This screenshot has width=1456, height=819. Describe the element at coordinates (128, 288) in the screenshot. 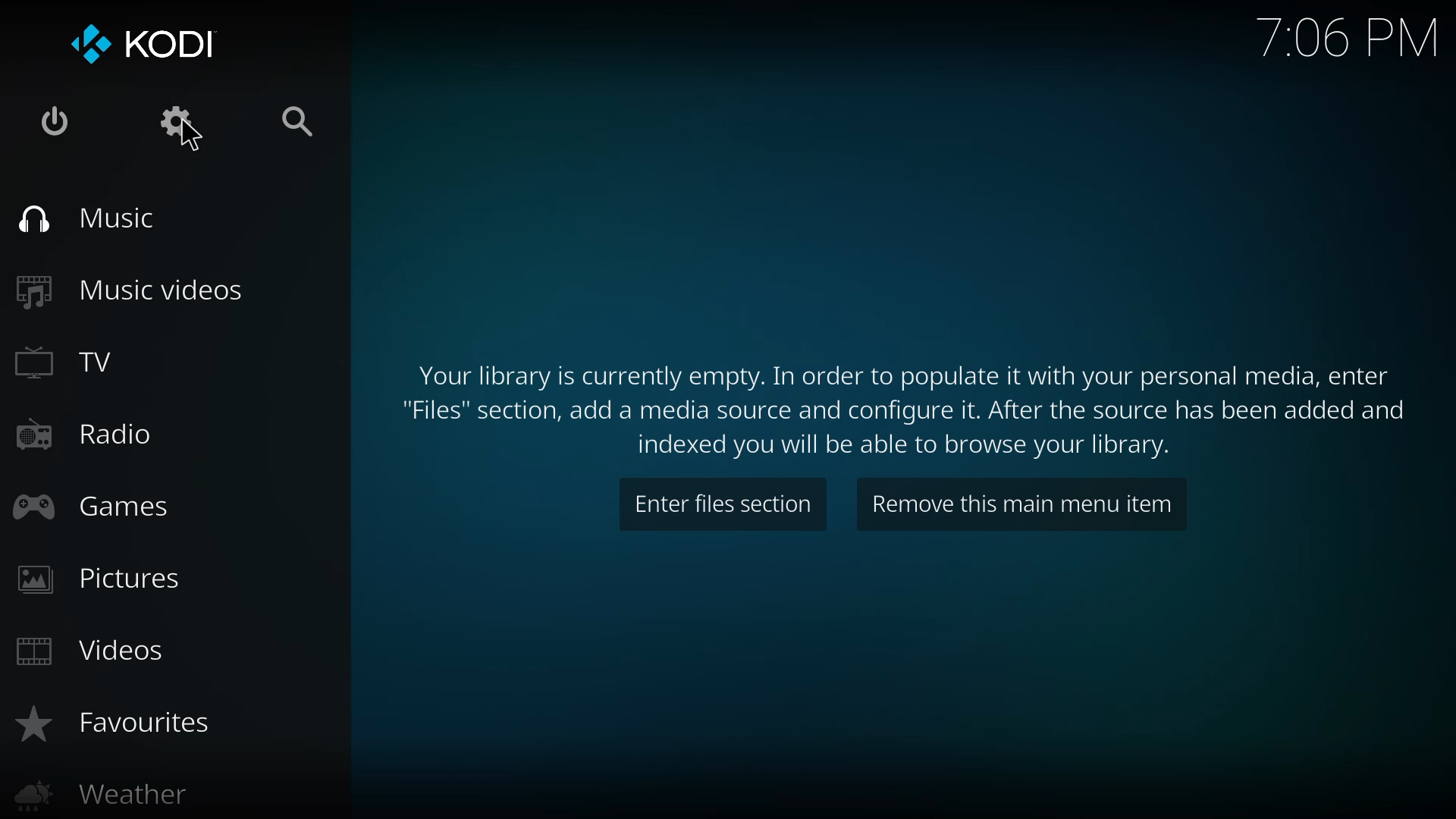

I see `music videos` at that location.